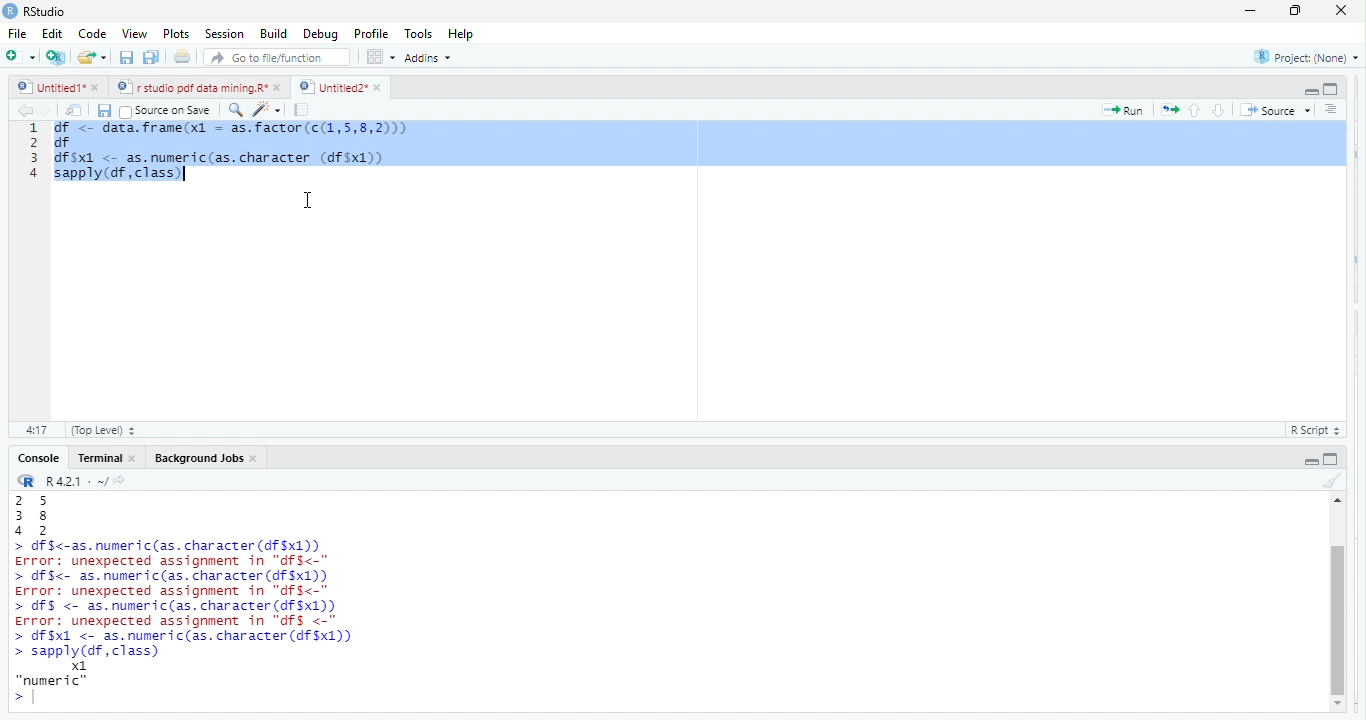 This screenshot has width=1366, height=720. What do you see at coordinates (224, 35) in the screenshot?
I see `Session` at bounding box center [224, 35].